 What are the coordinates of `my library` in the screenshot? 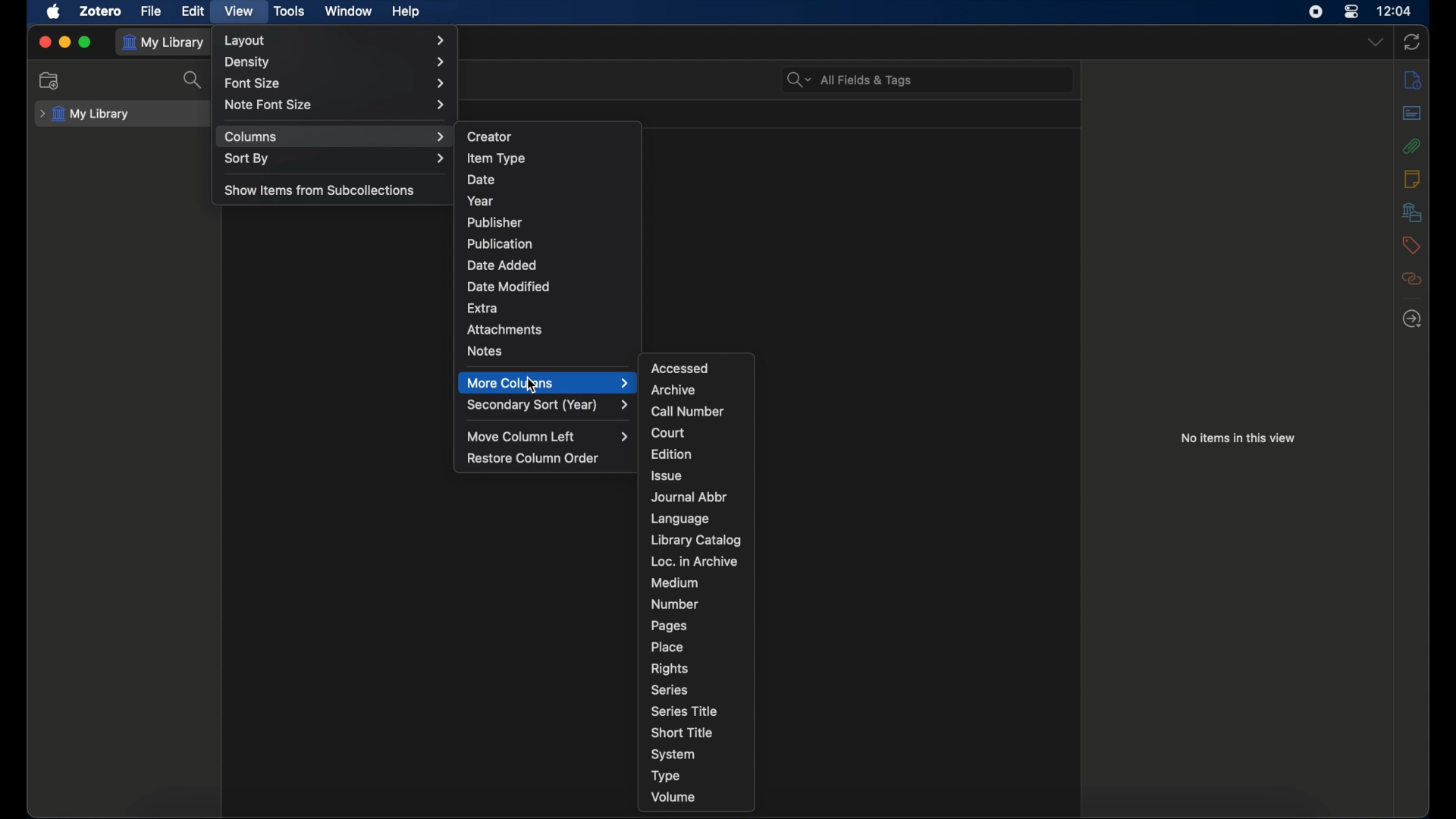 It's located at (83, 115).